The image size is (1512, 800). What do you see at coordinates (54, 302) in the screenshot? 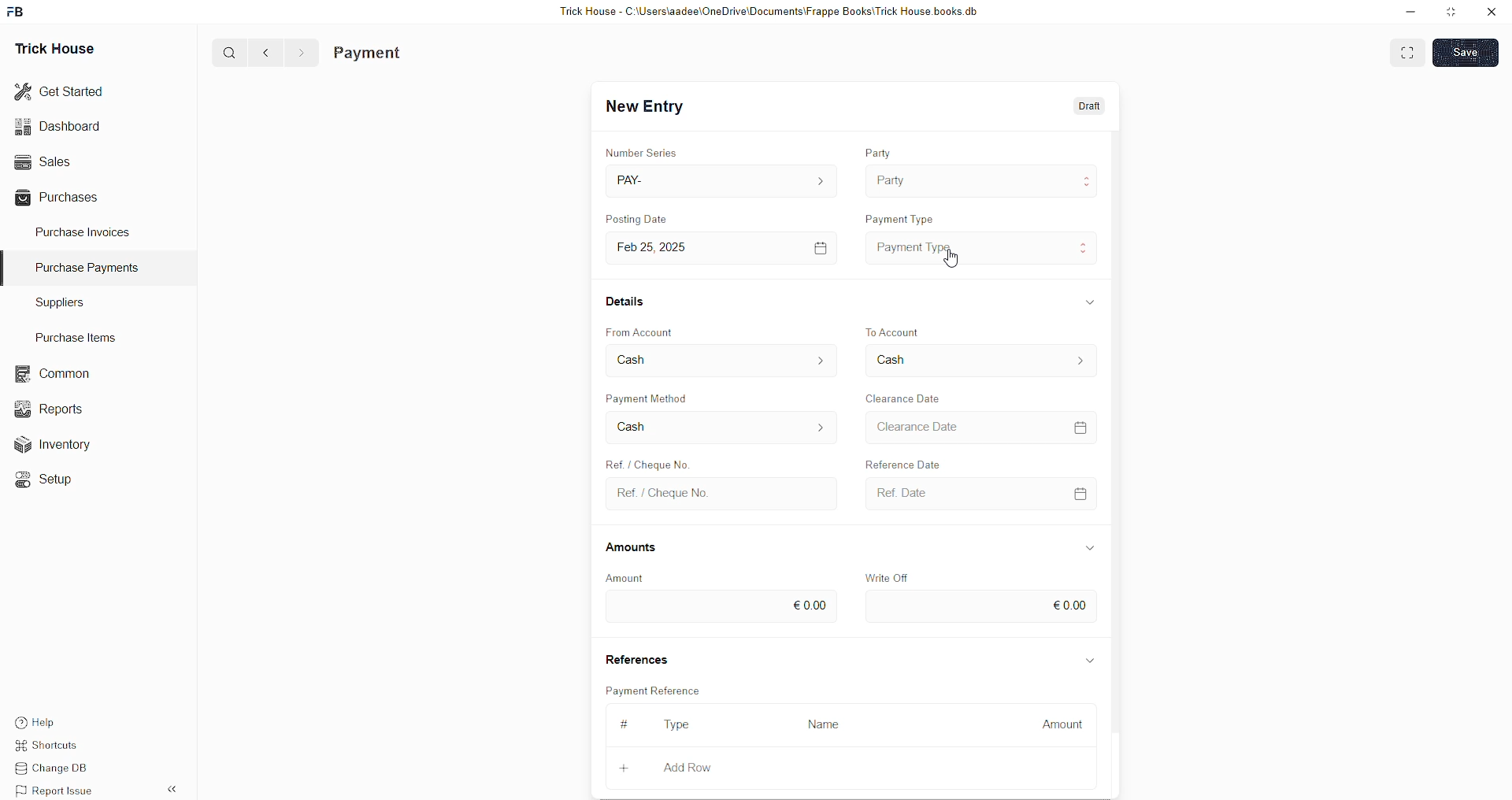
I see `Suppliers` at bounding box center [54, 302].